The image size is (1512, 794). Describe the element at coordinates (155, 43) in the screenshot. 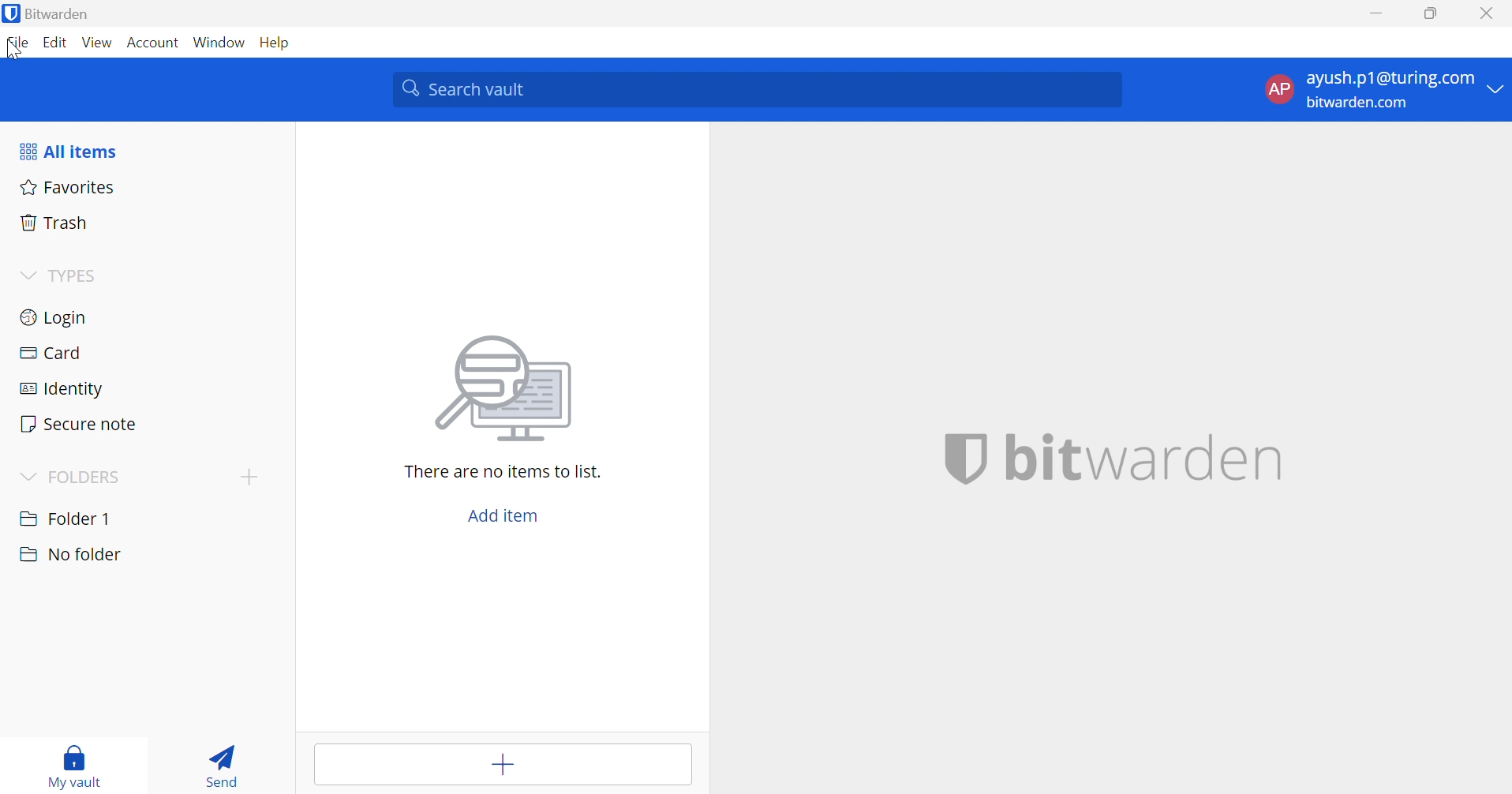

I see `Account` at that location.